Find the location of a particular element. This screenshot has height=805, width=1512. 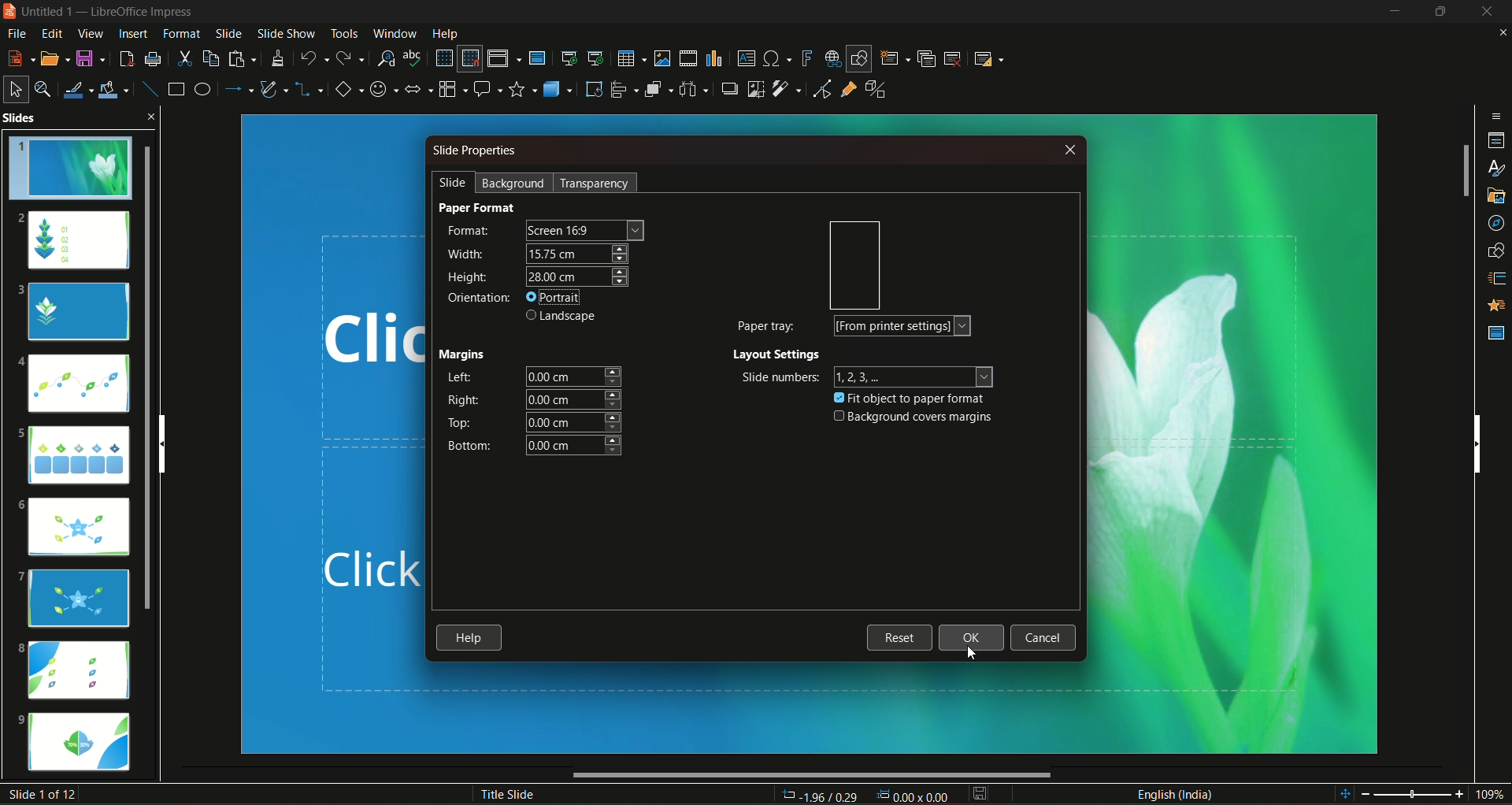

bottom margin is located at coordinates (576, 447).